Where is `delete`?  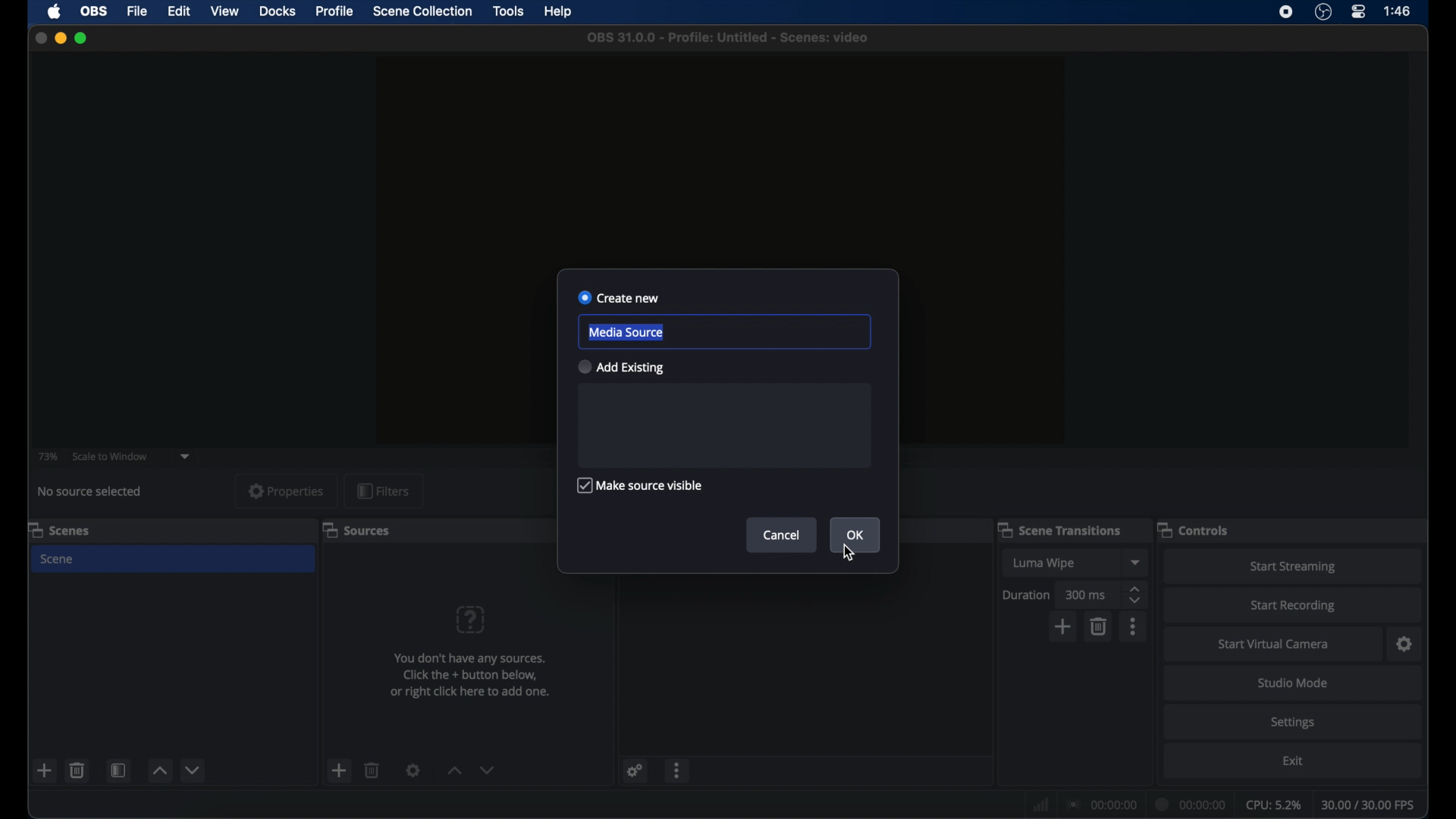
delete is located at coordinates (1100, 626).